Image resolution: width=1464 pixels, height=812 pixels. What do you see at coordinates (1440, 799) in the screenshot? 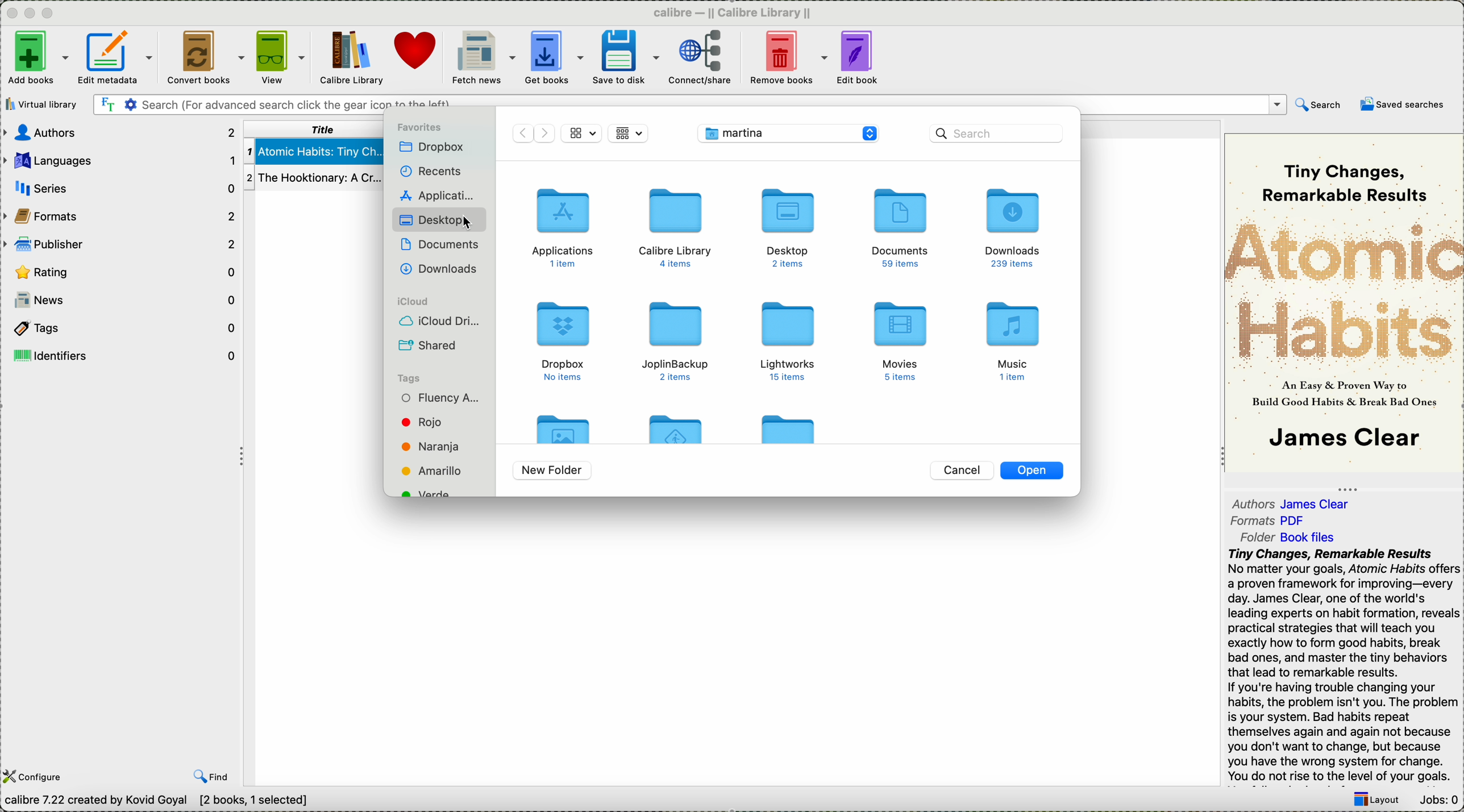
I see `Jobs: 0` at bounding box center [1440, 799].